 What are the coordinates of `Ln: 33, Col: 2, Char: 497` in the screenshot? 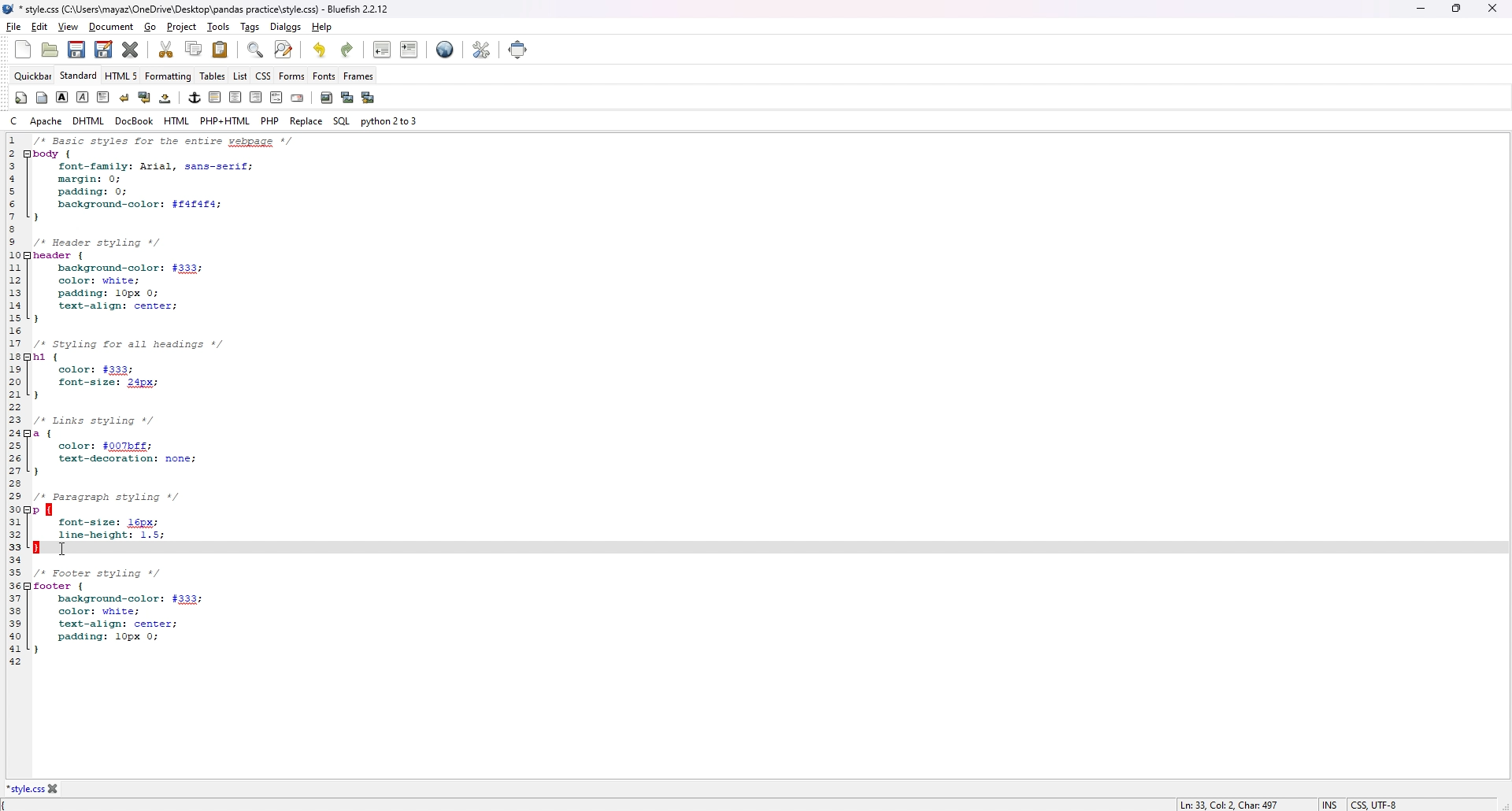 It's located at (1231, 805).